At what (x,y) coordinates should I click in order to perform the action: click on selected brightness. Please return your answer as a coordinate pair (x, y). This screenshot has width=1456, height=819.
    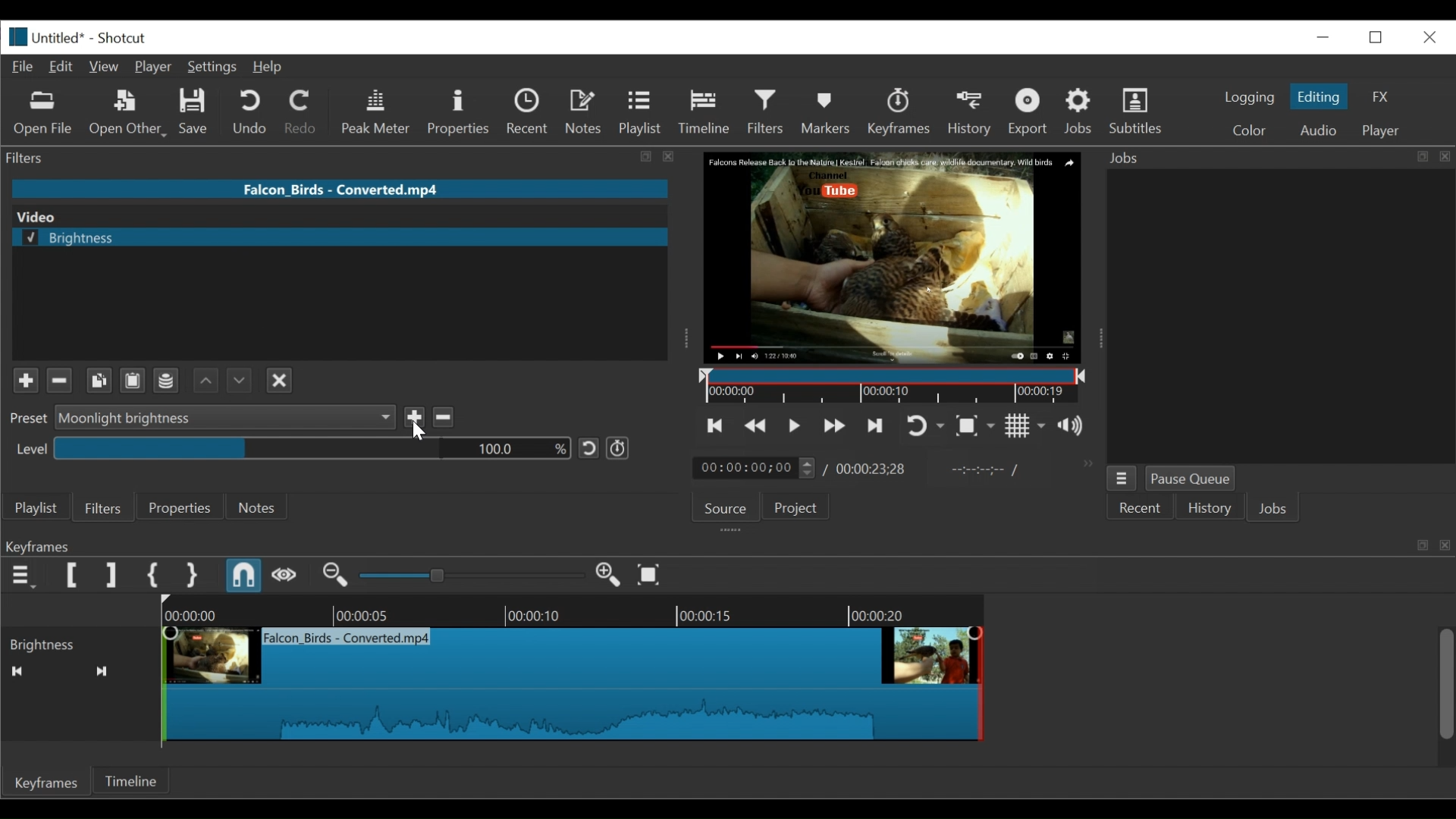
    Looking at the image, I should click on (107, 238).